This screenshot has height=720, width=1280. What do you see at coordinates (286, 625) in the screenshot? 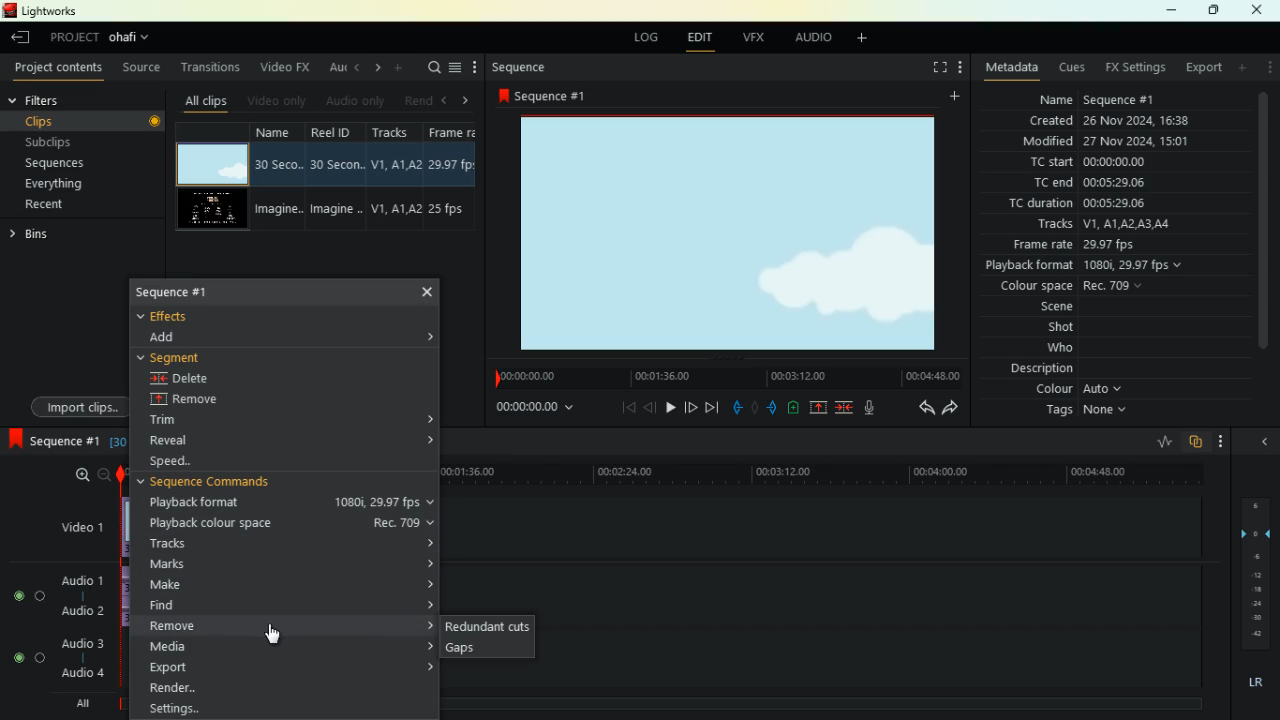
I see `remove` at bounding box center [286, 625].